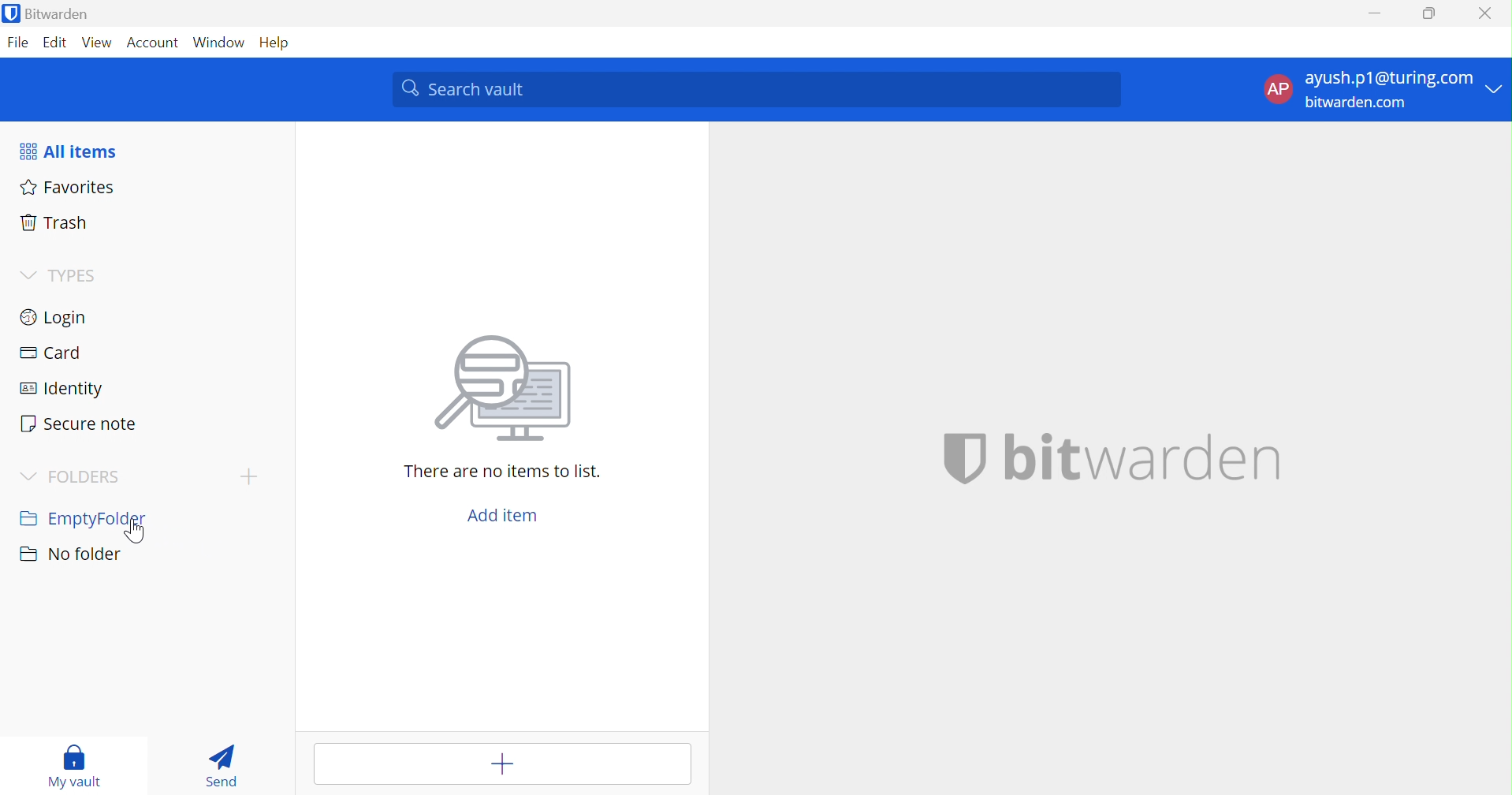  I want to click on Secure note, so click(78, 424).